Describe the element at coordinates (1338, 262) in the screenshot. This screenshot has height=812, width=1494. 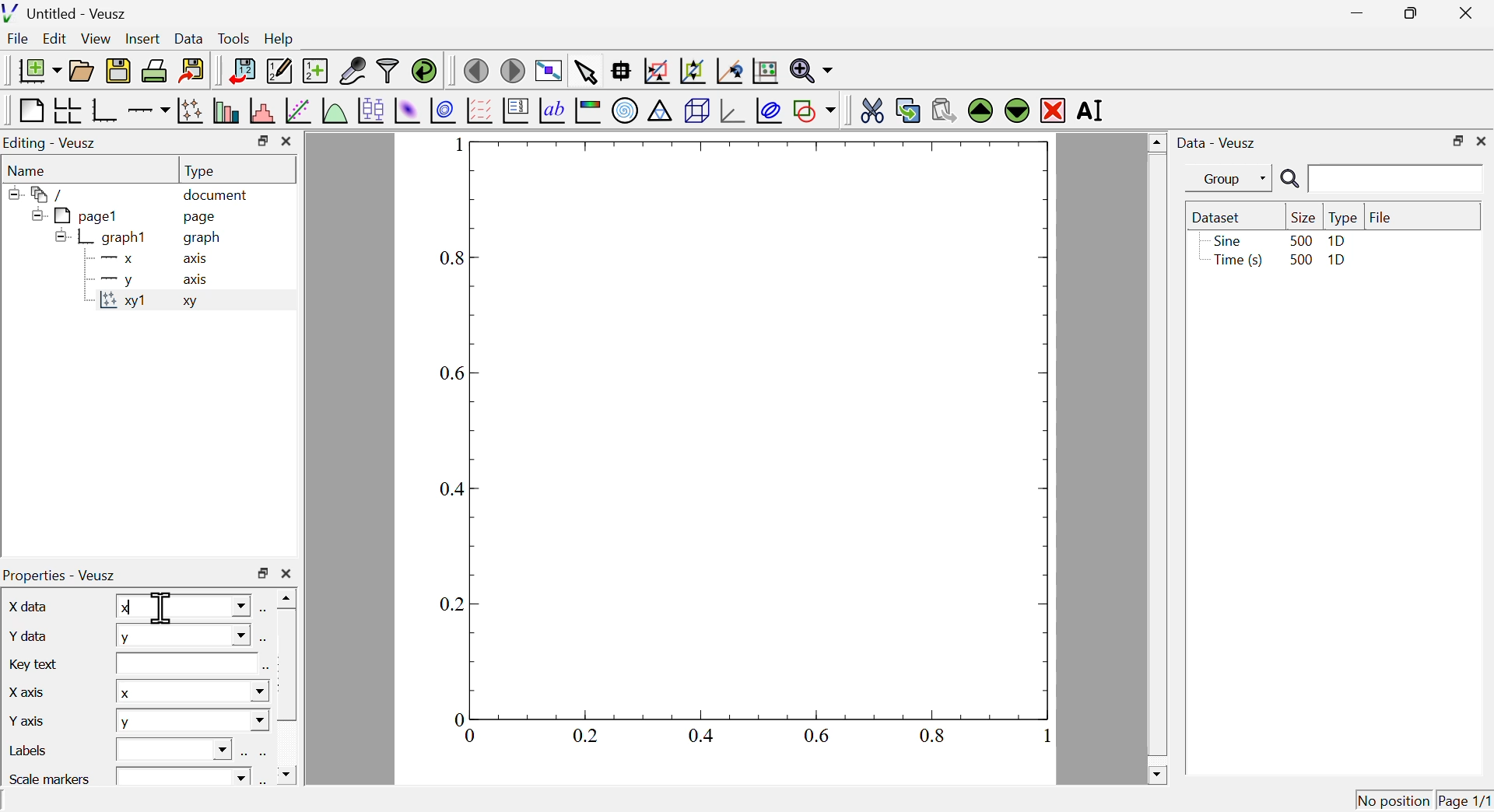
I see `1D` at that location.